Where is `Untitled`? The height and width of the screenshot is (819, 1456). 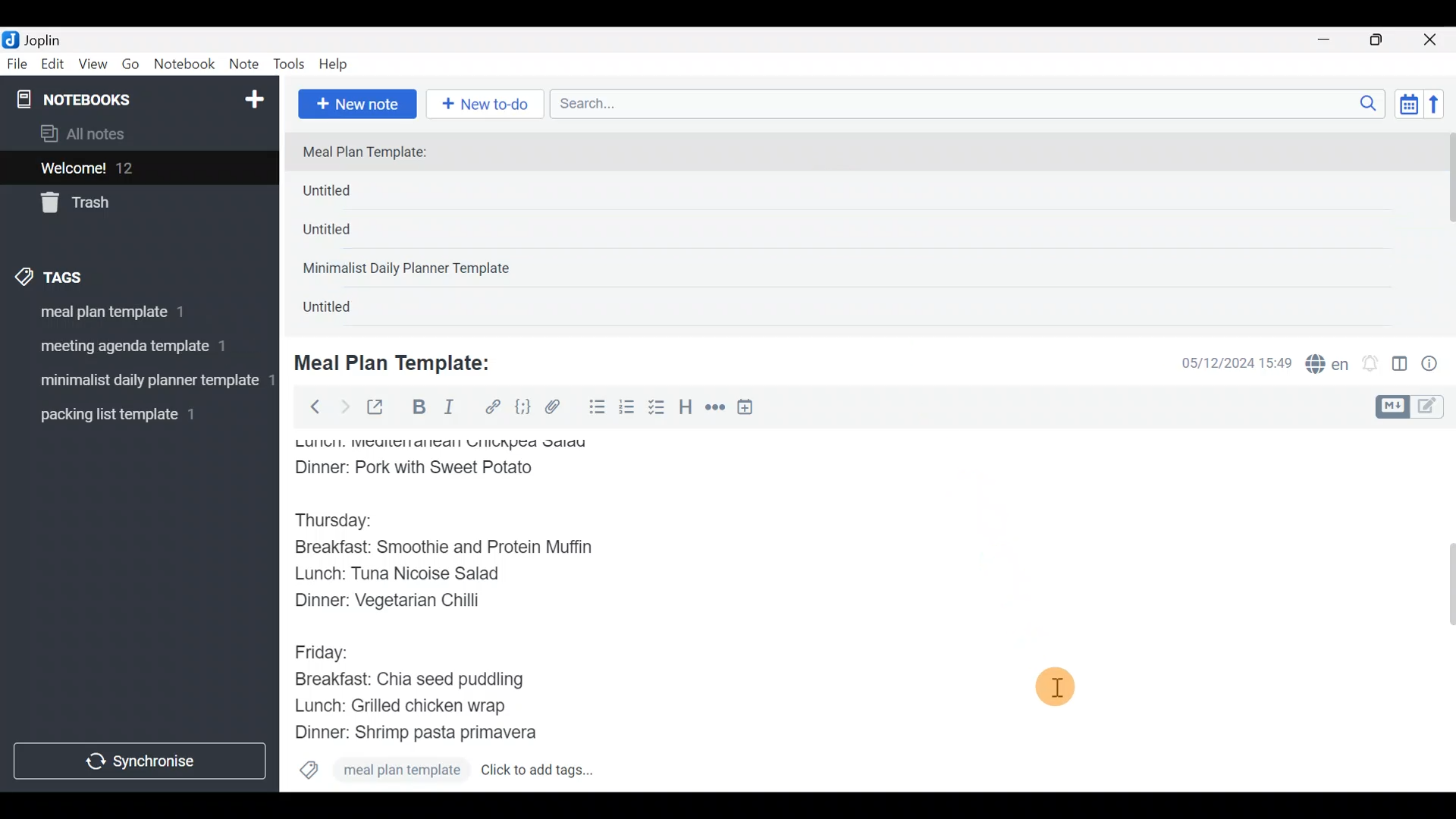 Untitled is located at coordinates (347, 234).